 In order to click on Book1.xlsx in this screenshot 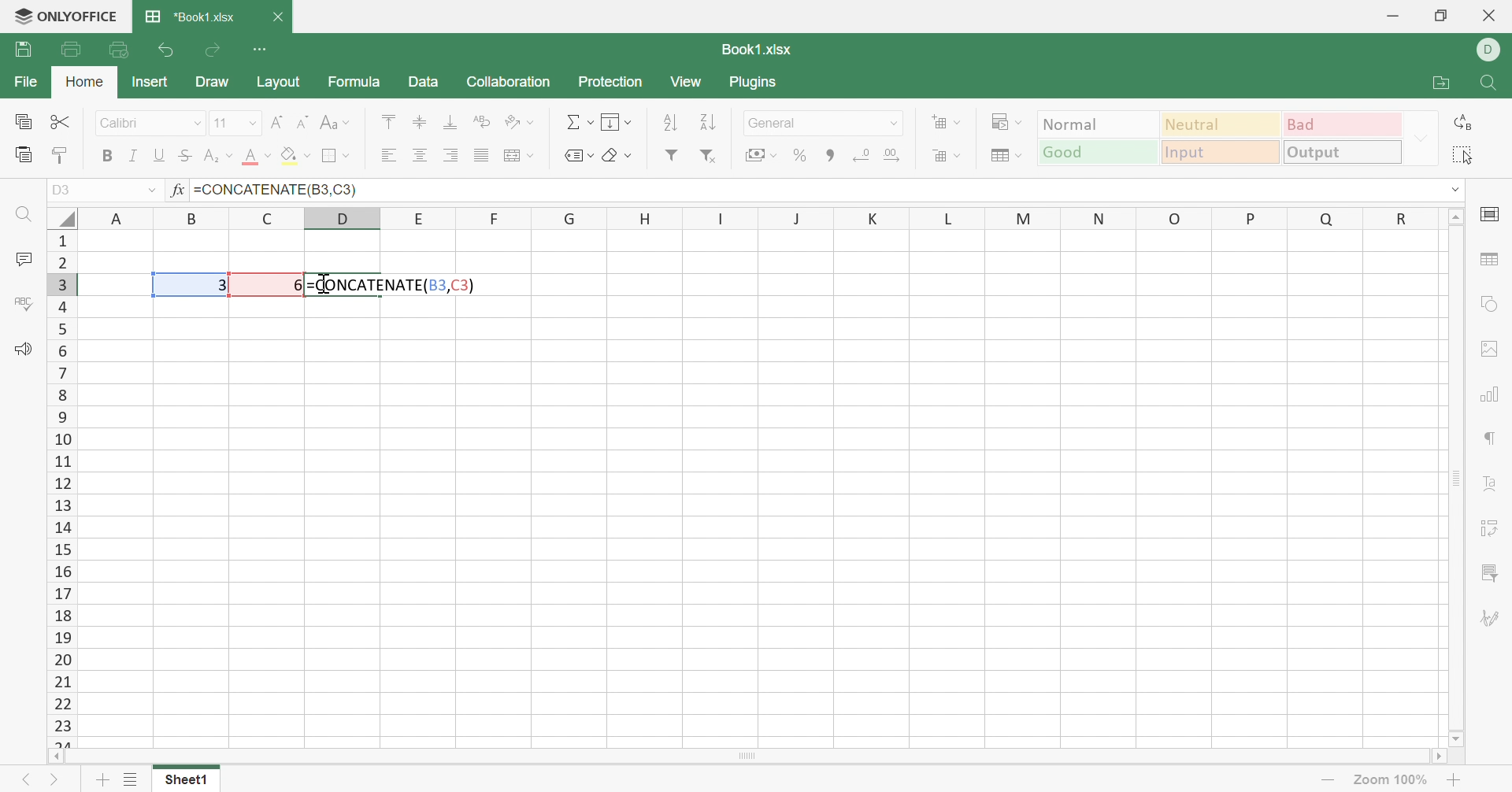, I will do `click(755, 48)`.